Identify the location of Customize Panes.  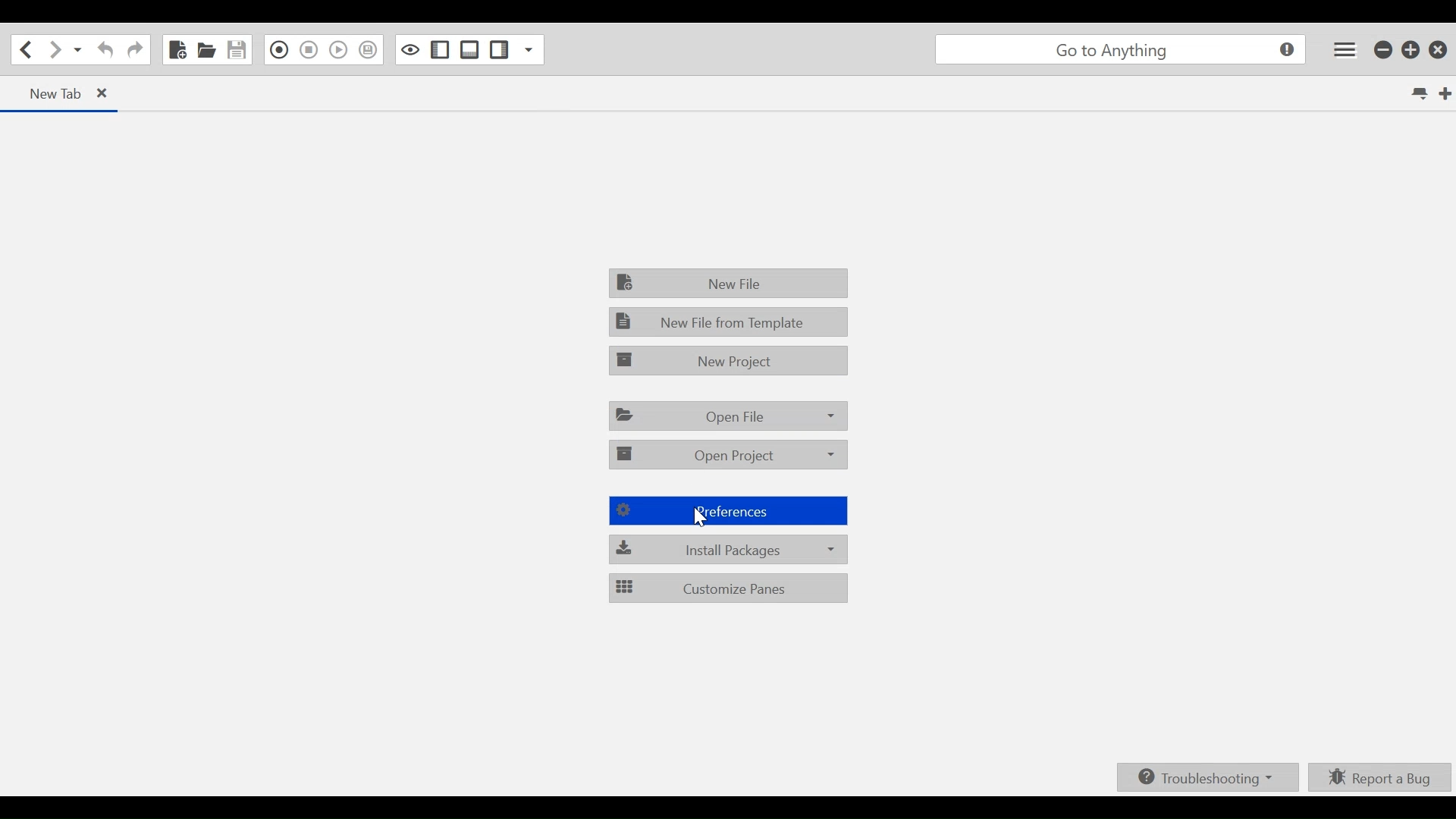
(730, 589).